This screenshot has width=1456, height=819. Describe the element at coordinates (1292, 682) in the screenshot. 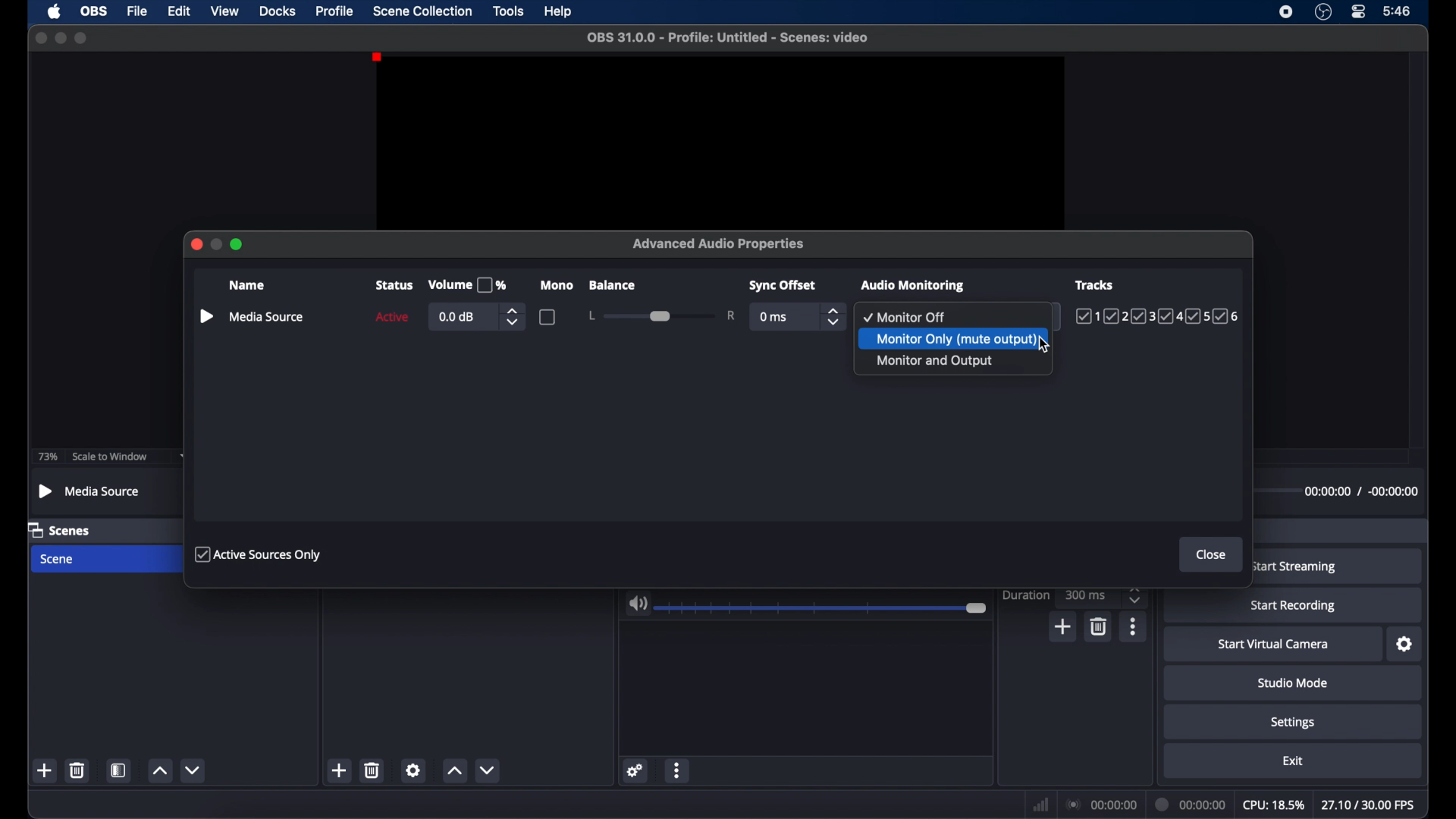

I see `studio mode` at that location.